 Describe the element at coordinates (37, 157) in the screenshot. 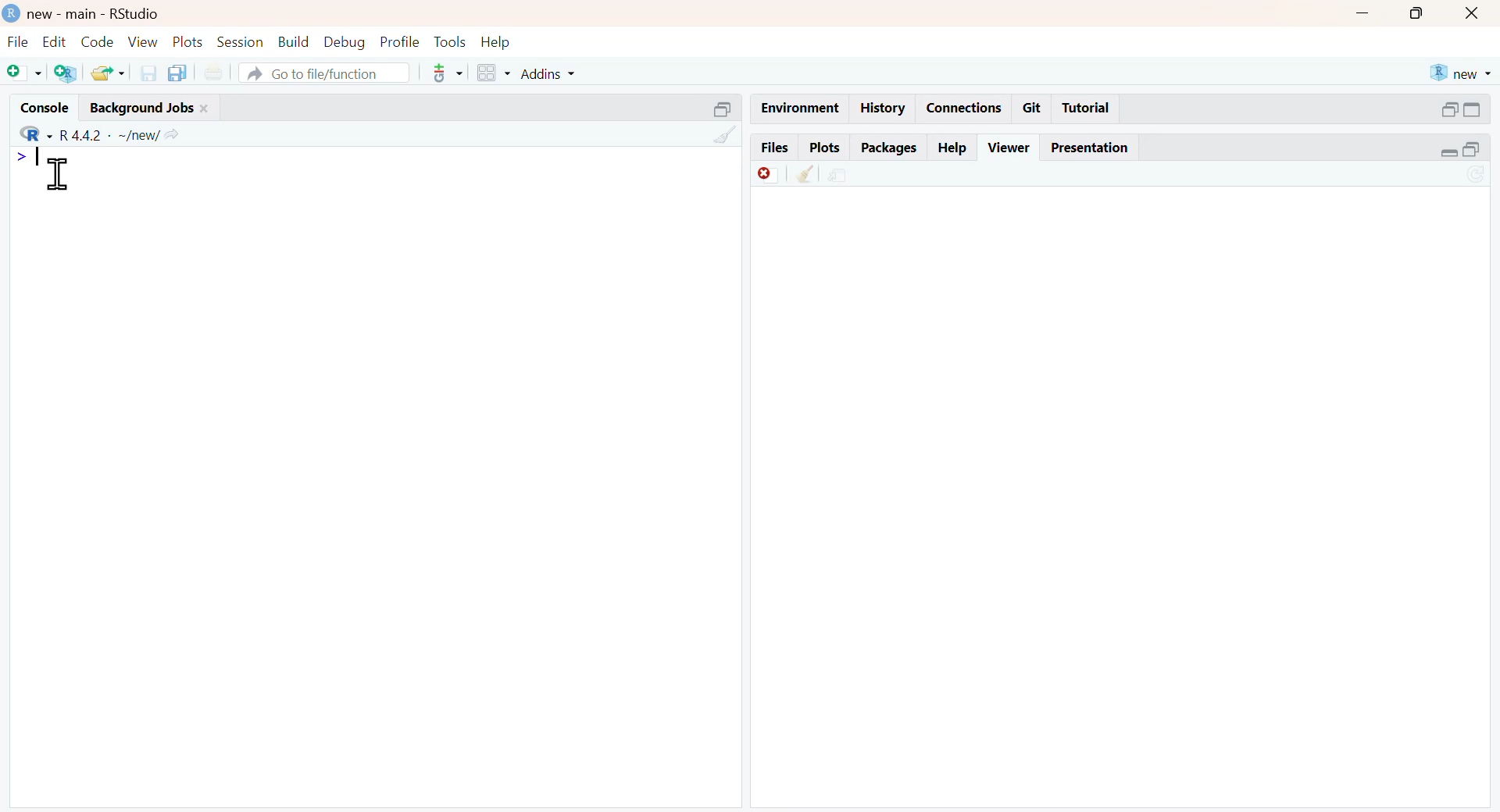

I see `Typing indicator` at that location.